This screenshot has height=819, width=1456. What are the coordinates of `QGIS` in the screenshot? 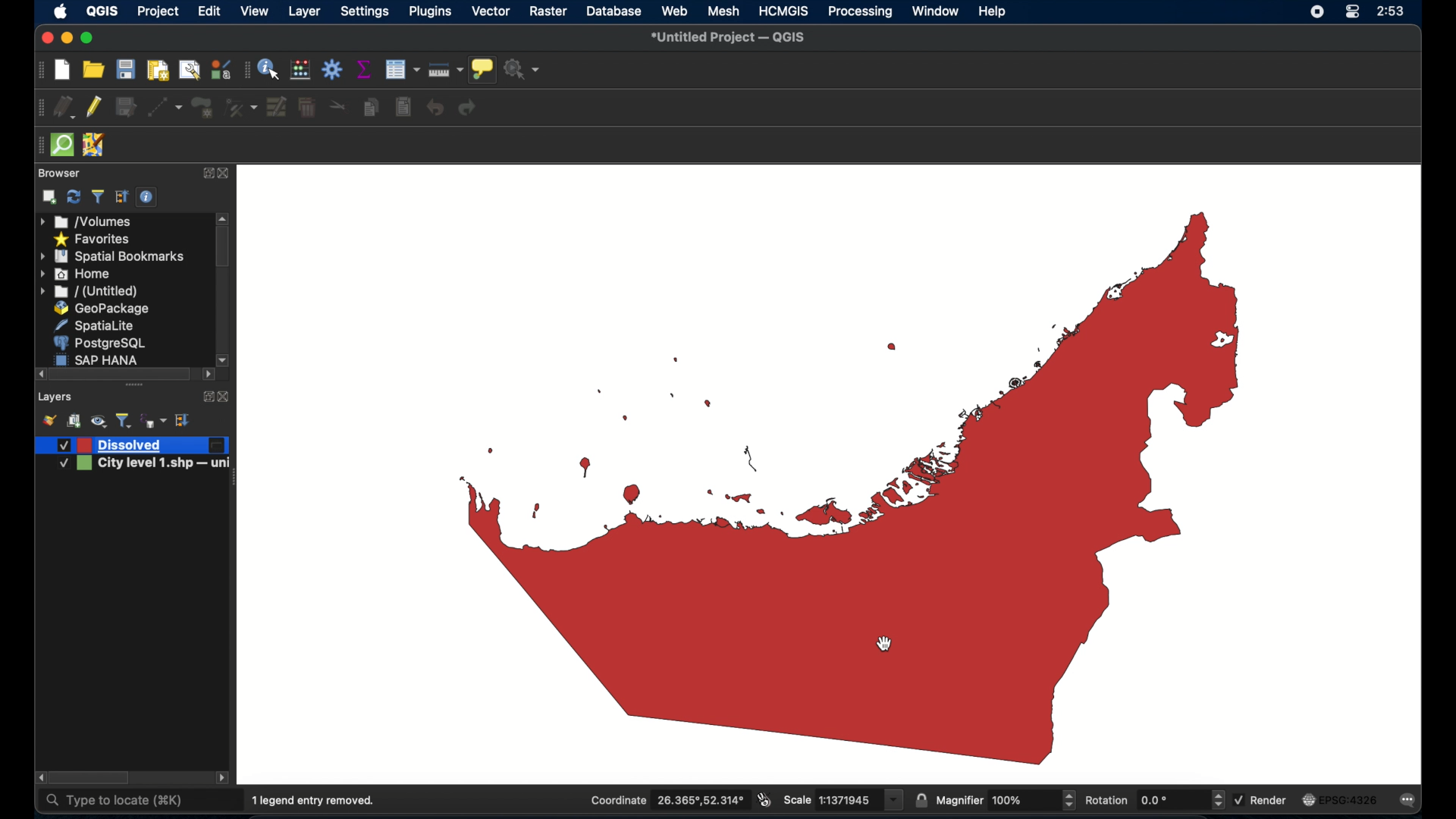 It's located at (102, 12).